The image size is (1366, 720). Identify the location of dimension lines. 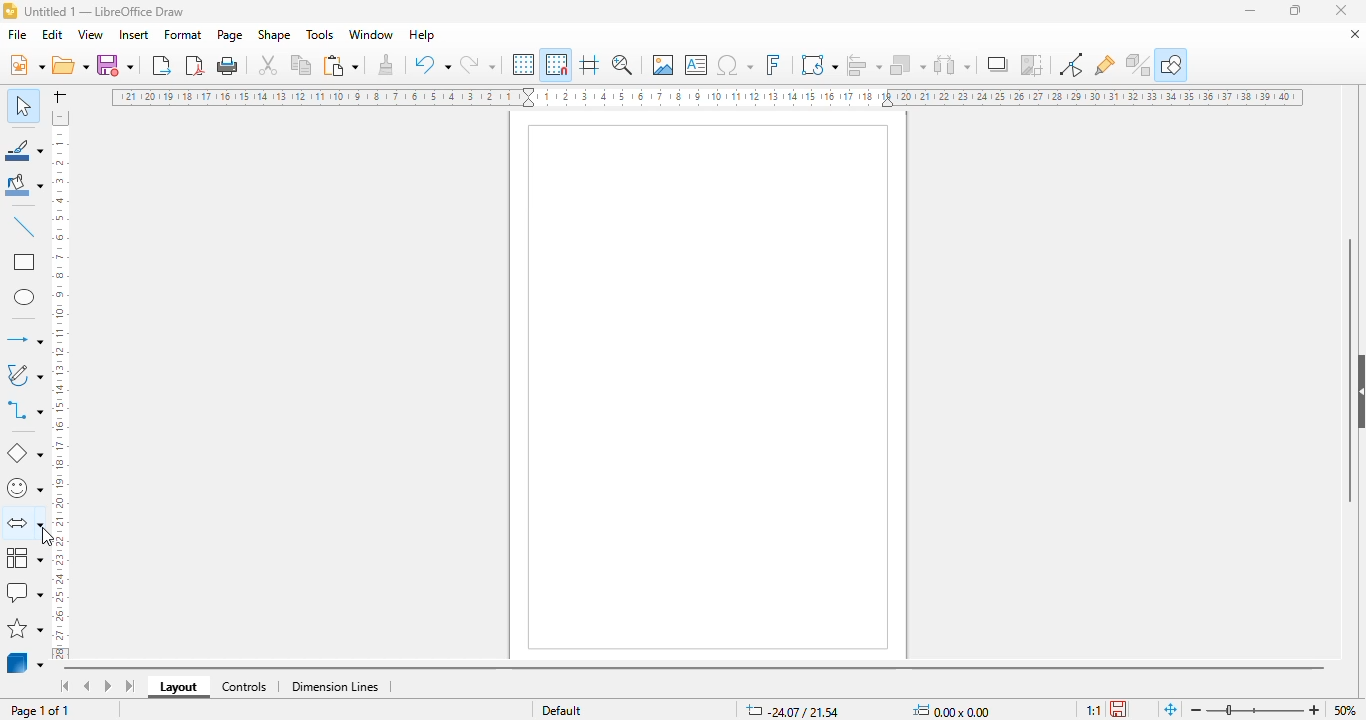
(334, 687).